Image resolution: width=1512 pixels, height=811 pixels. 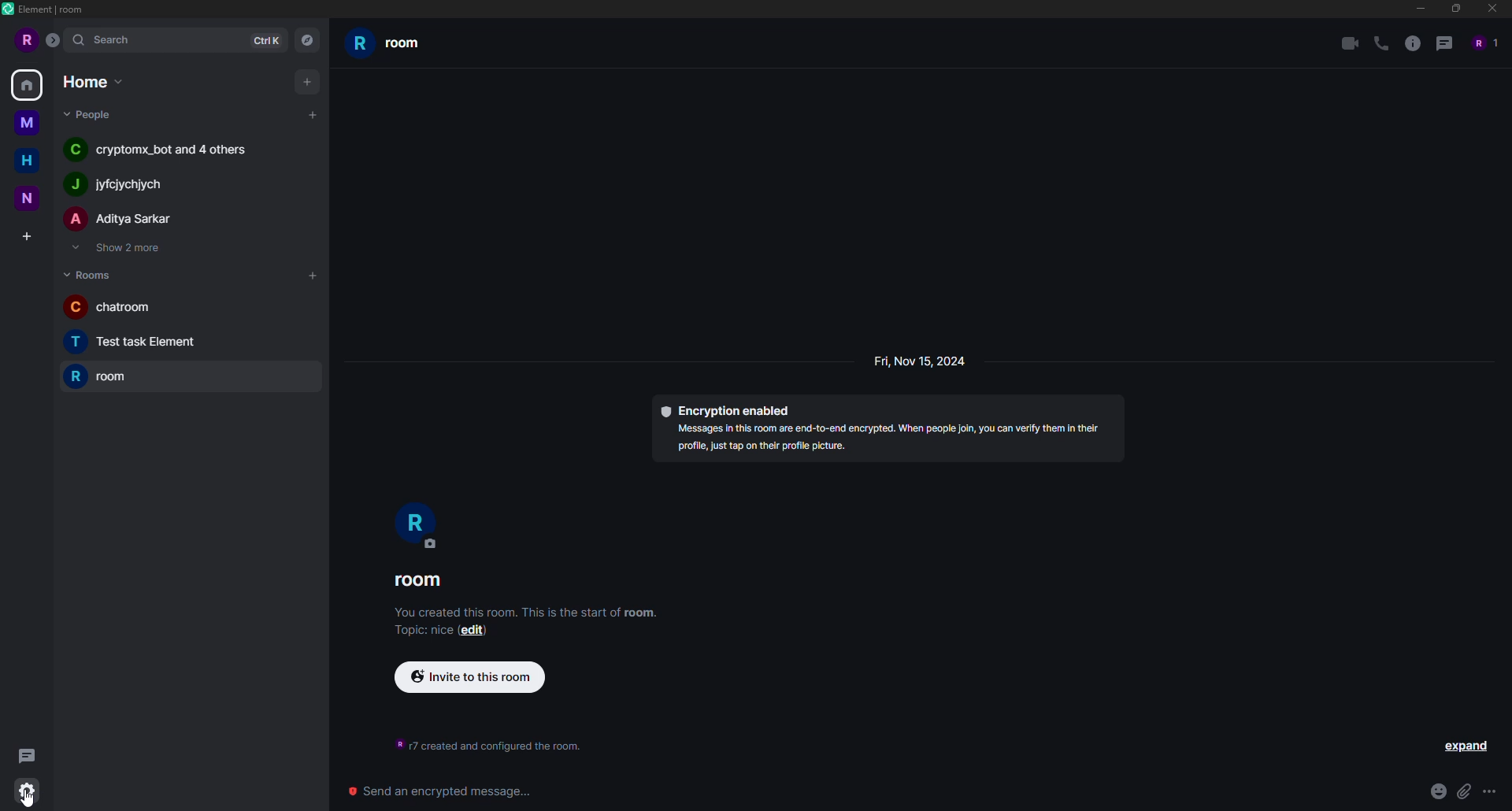 What do you see at coordinates (308, 39) in the screenshot?
I see `navigator` at bounding box center [308, 39].